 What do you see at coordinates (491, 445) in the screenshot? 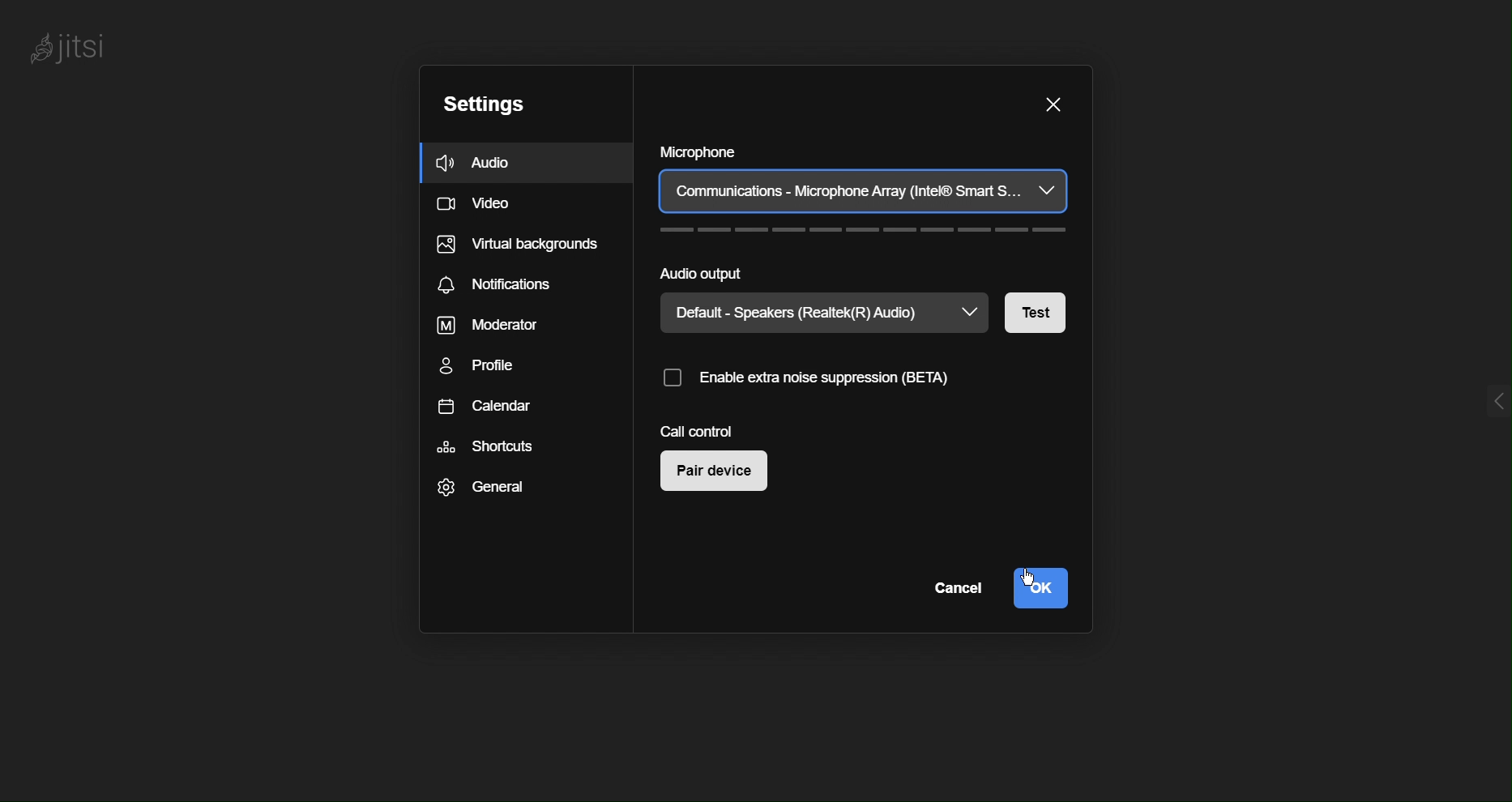
I see `Shortcuts` at bounding box center [491, 445].